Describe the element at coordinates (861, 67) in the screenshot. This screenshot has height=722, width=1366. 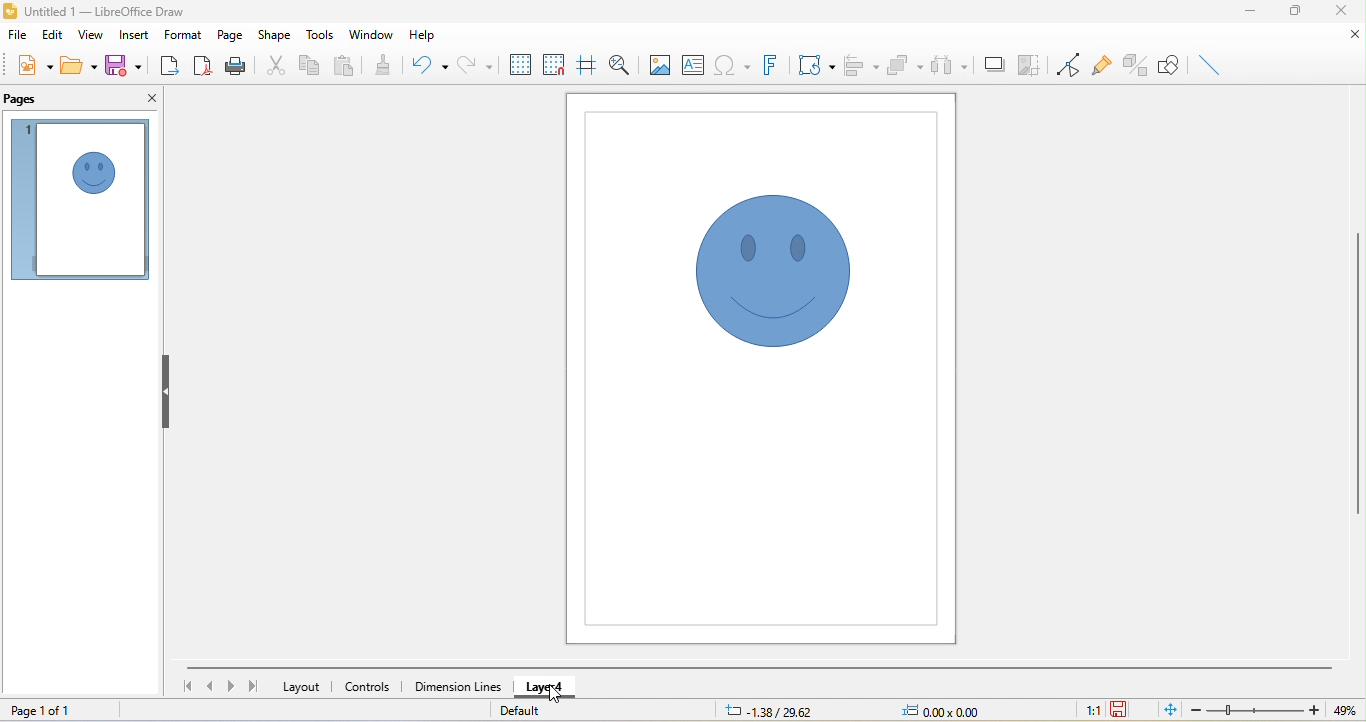
I see `align object` at that location.